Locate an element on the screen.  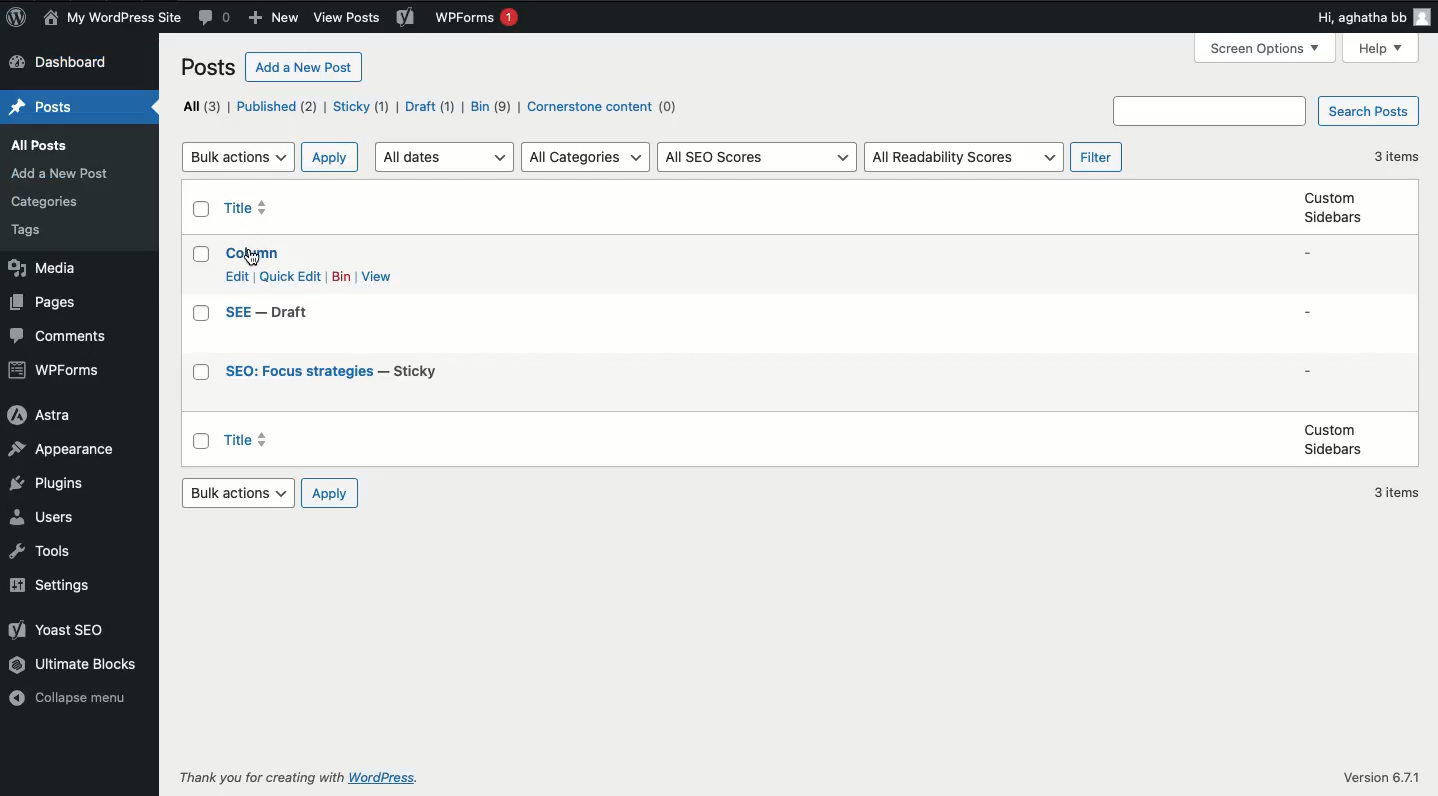
Custom sidebars is located at coordinates (1331, 440).